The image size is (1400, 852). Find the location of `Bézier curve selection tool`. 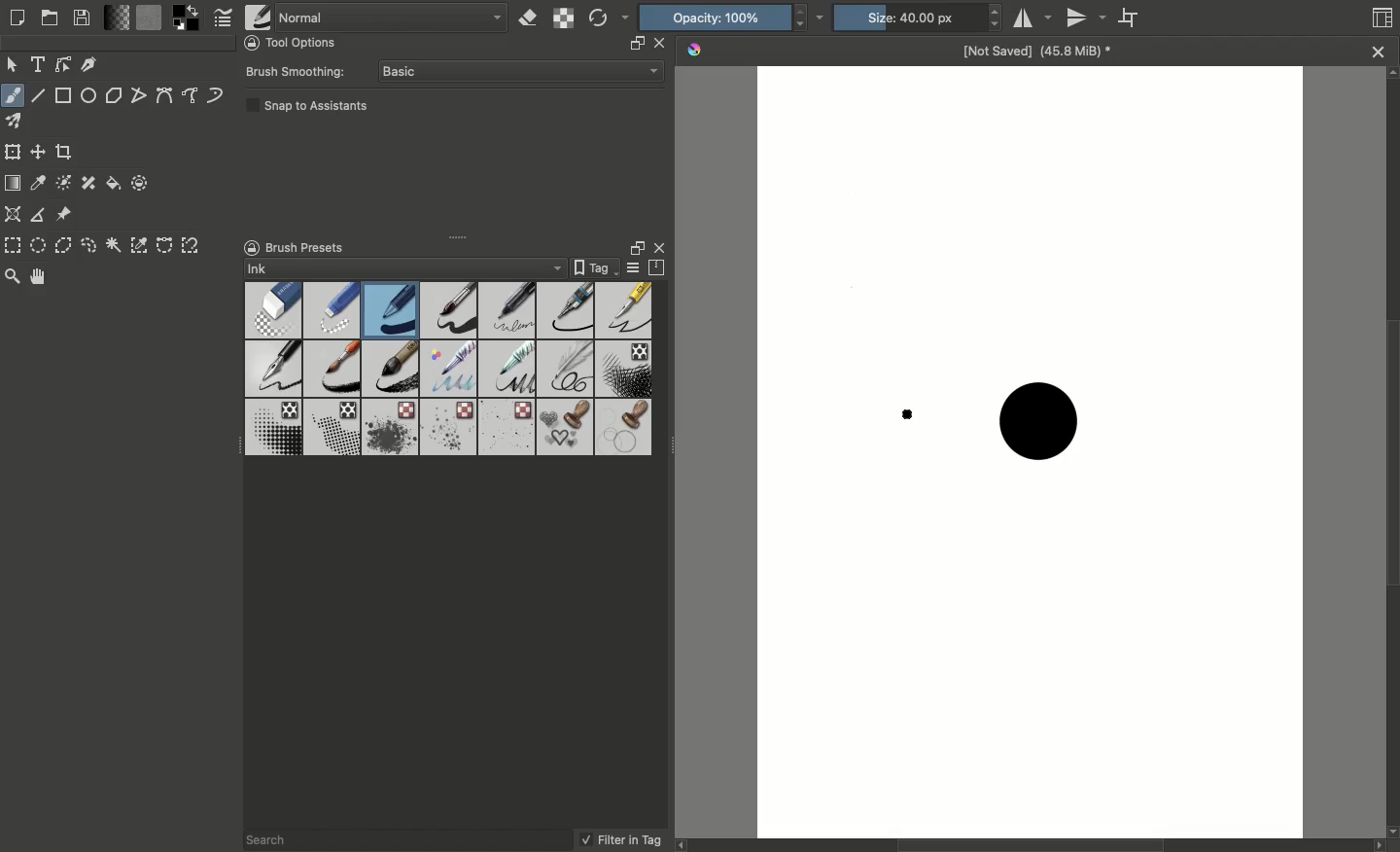

Bézier curve selection tool is located at coordinates (164, 248).